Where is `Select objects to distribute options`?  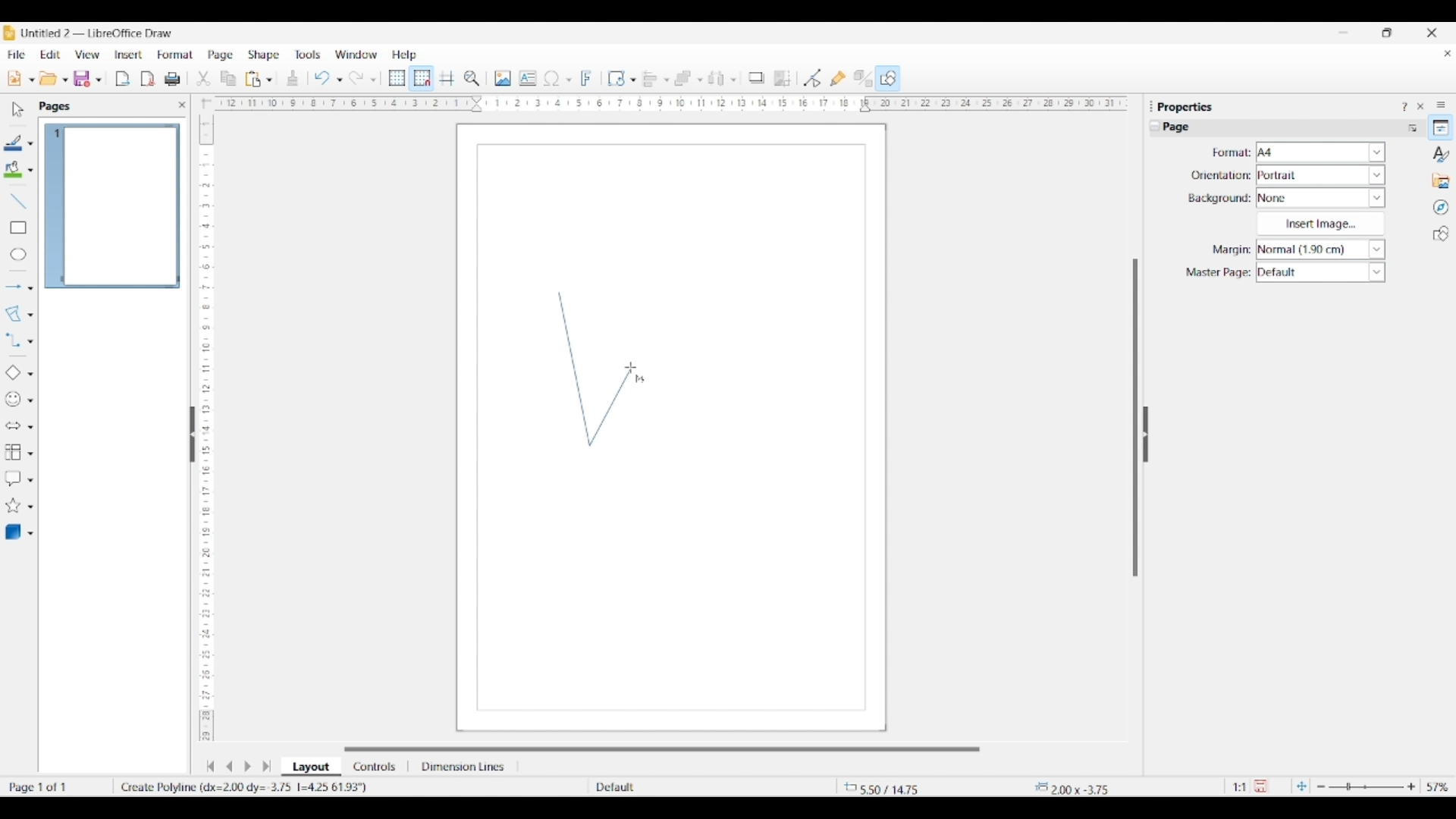
Select objects to distribute options is located at coordinates (733, 80).